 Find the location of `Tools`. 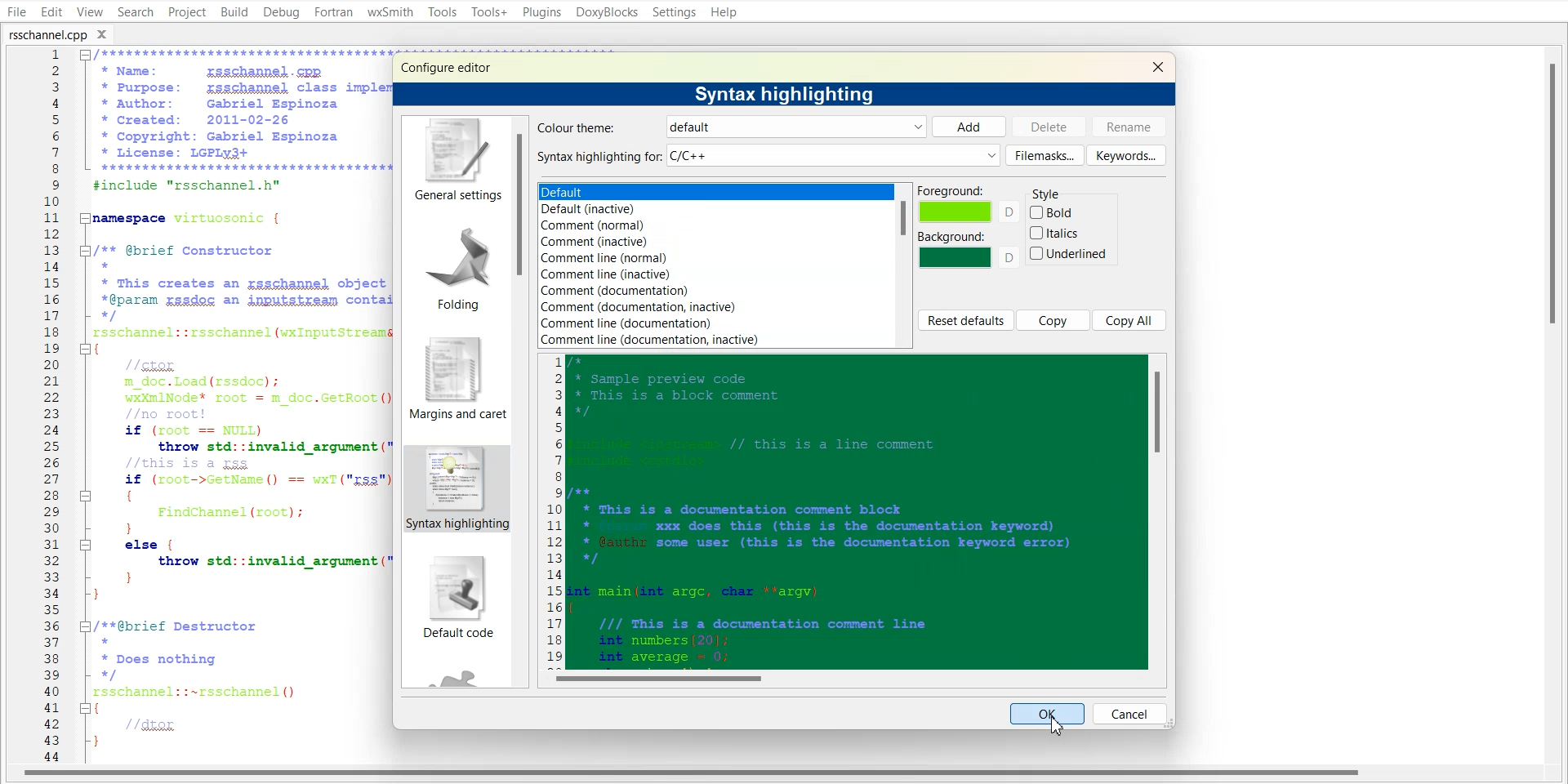

Tools is located at coordinates (442, 11).